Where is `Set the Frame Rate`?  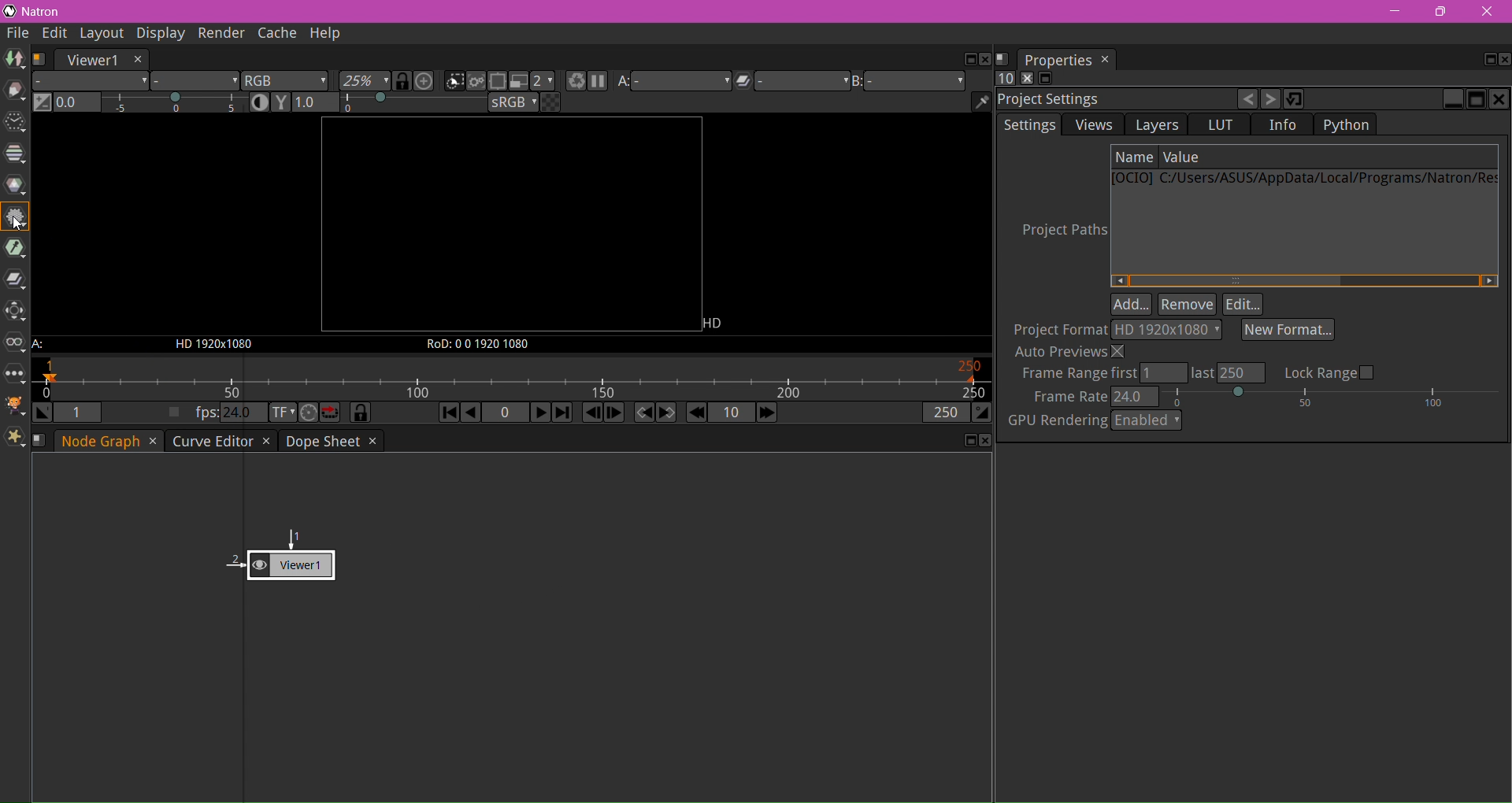 Set the Frame Rate is located at coordinates (1268, 396).